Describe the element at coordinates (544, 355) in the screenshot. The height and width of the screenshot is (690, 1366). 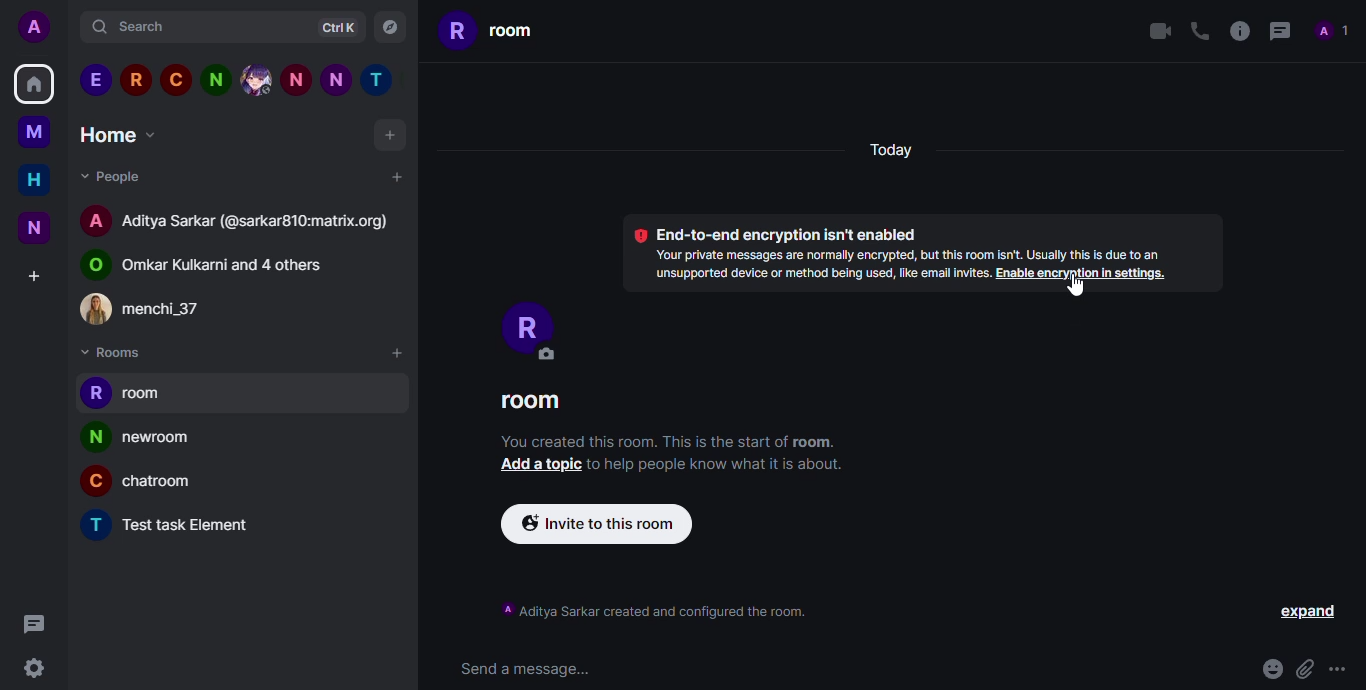
I see `edit` at that location.